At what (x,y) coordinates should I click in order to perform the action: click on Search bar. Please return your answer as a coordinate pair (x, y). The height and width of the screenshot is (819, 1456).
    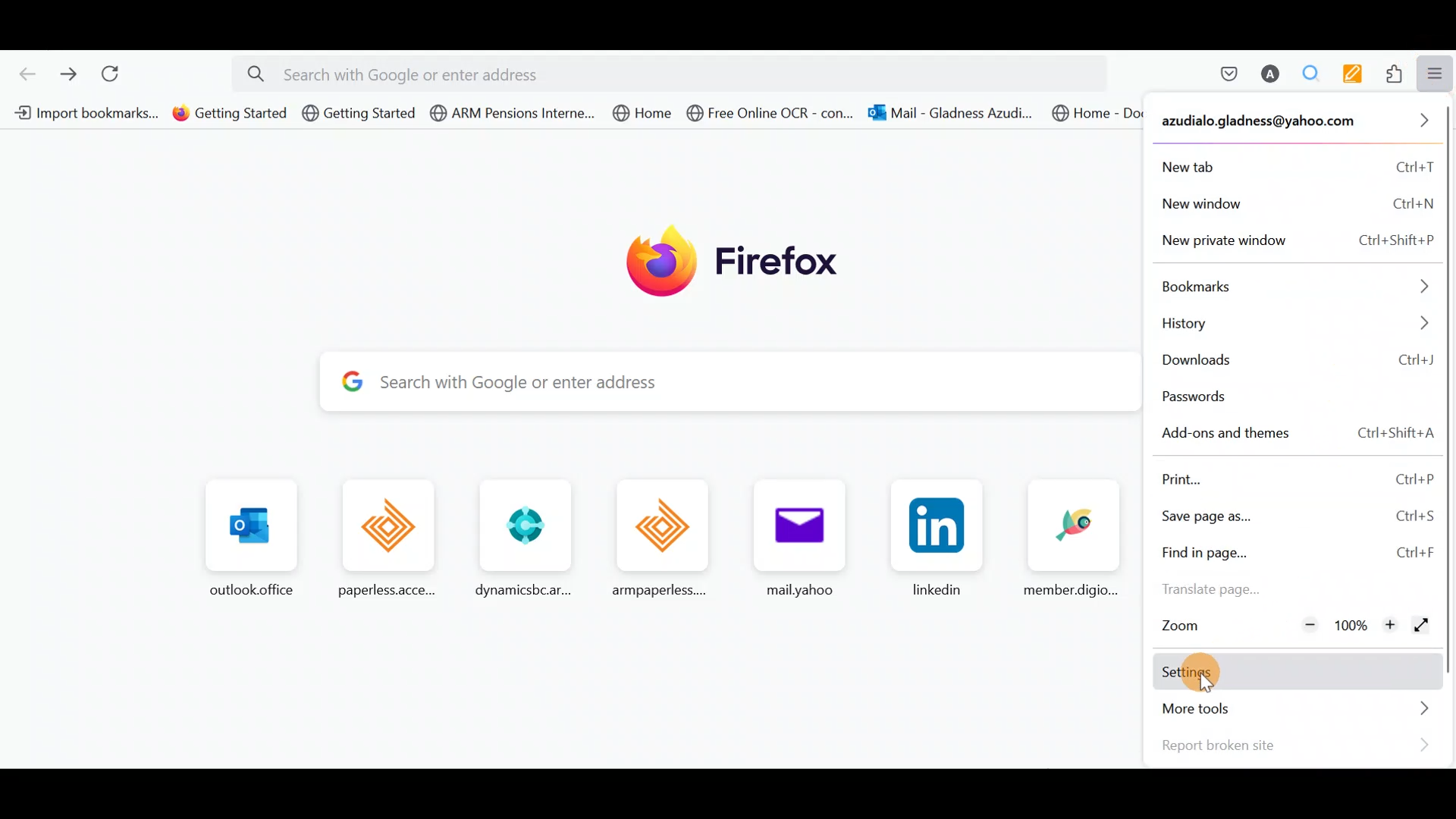
    Looking at the image, I should click on (675, 72).